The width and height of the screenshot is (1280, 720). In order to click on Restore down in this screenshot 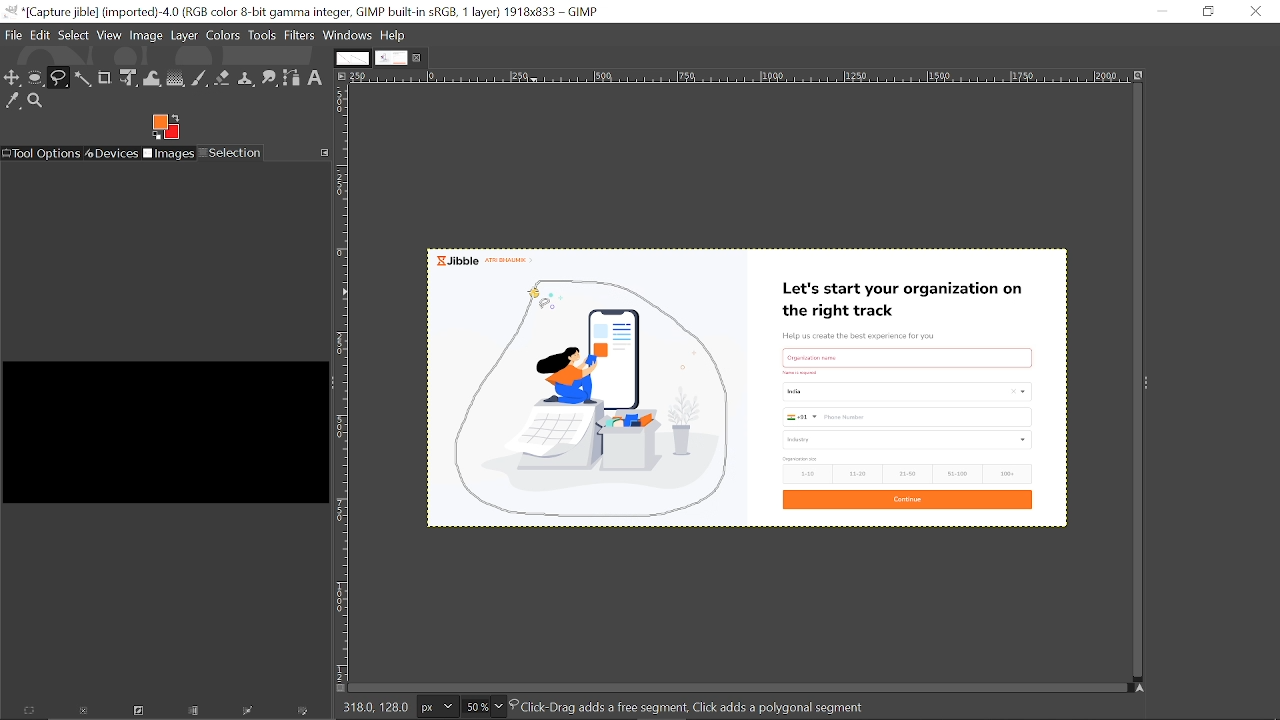, I will do `click(1206, 11)`.